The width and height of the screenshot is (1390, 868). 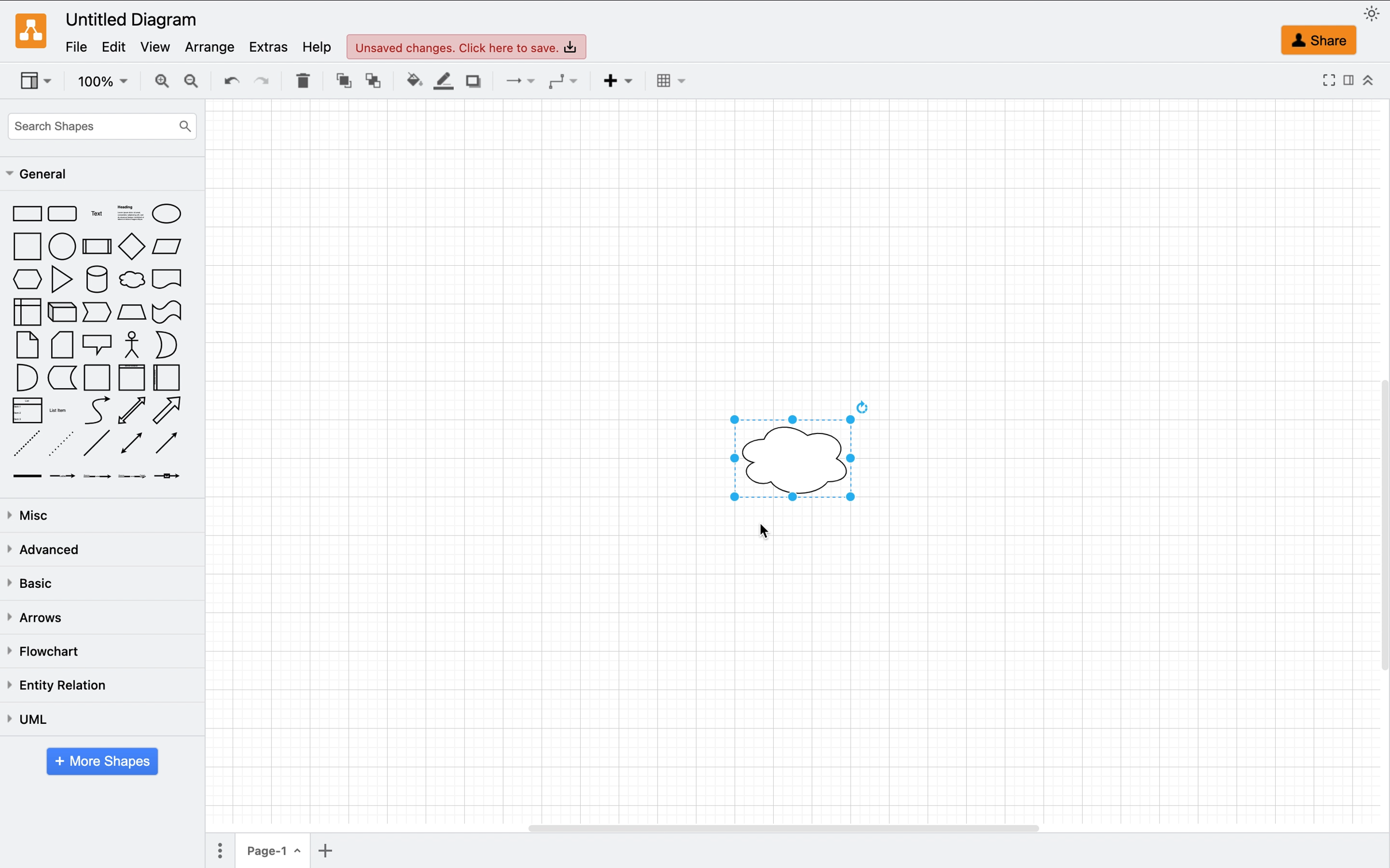 I want to click on insert, so click(x=615, y=83).